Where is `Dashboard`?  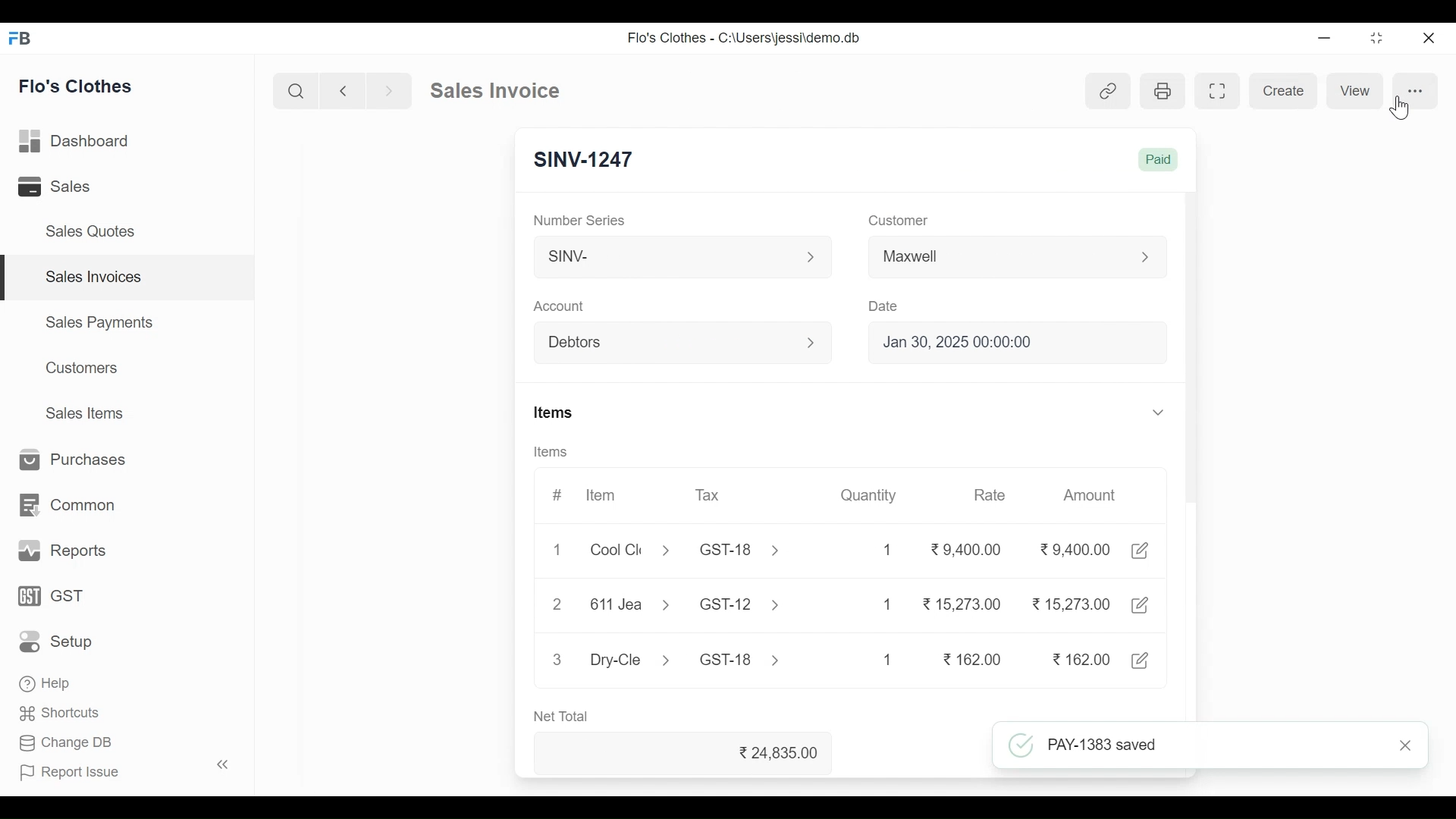 Dashboard is located at coordinates (76, 143).